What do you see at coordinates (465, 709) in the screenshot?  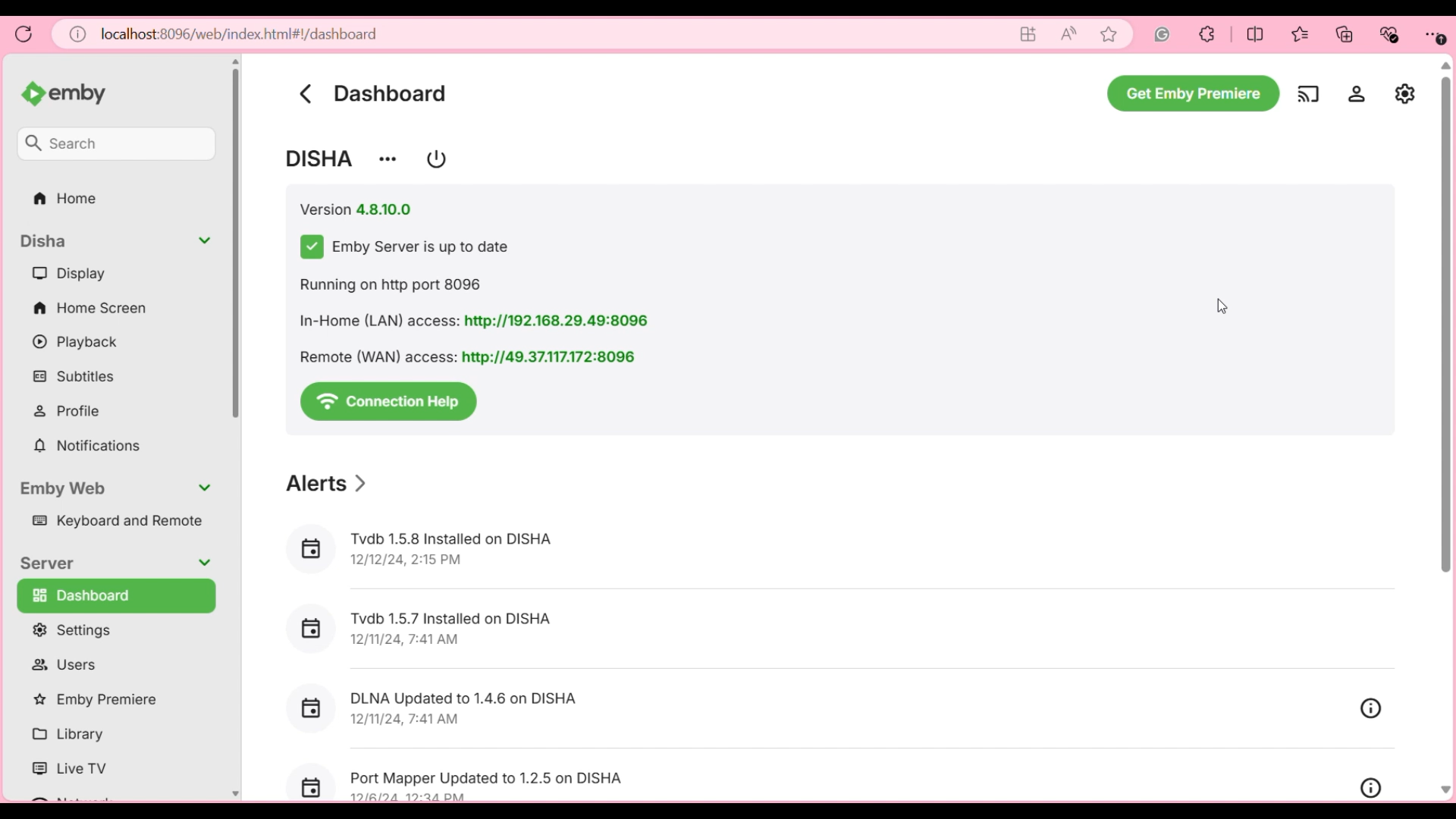 I see `DLNA Updated to 1.4.6 on DISHA
12/11/24, 7:41 AM` at bounding box center [465, 709].